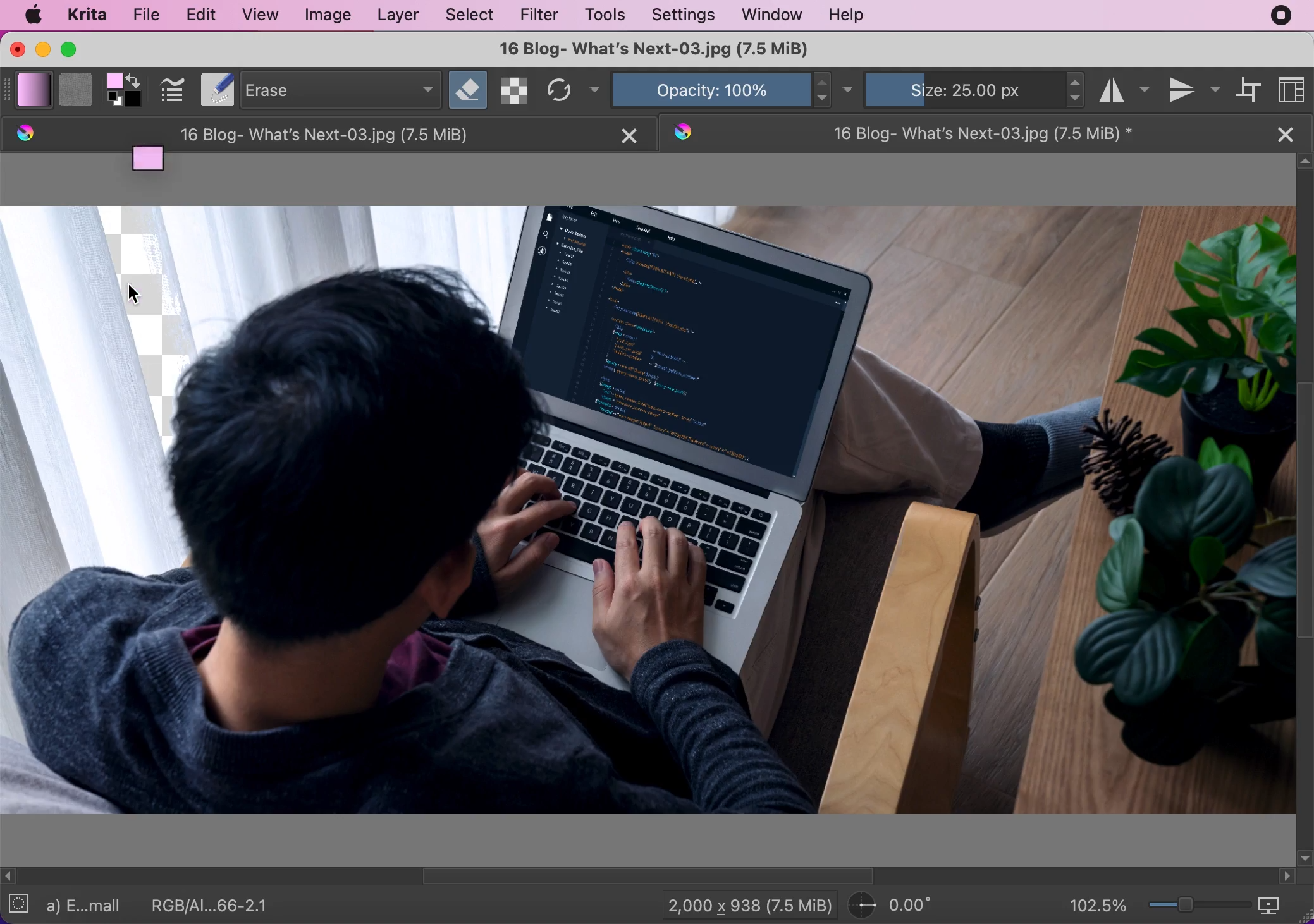 Image resolution: width=1314 pixels, height=924 pixels. I want to click on edit brush settings, so click(174, 90).